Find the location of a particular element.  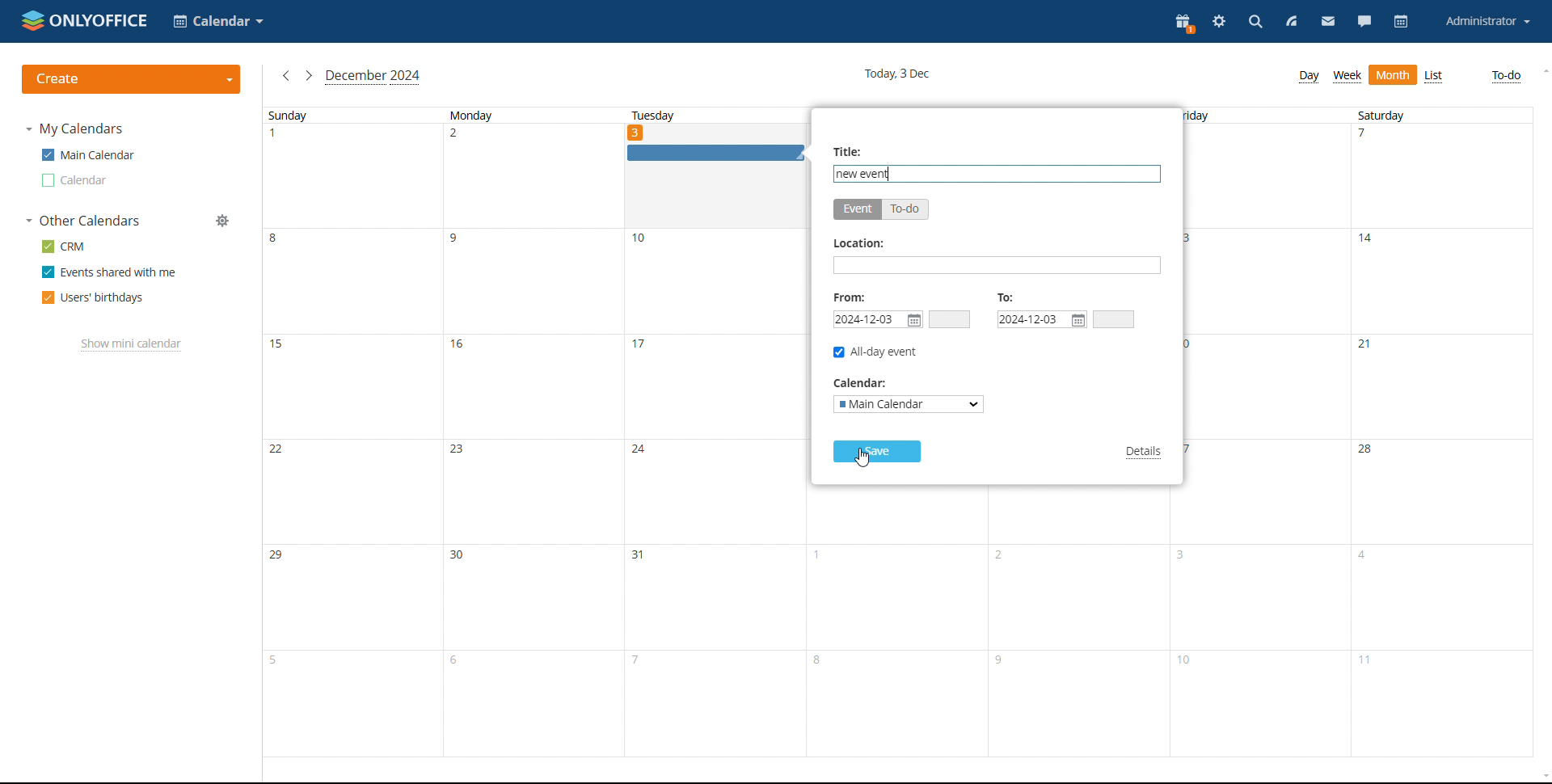

friday is located at coordinates (1266, 432).